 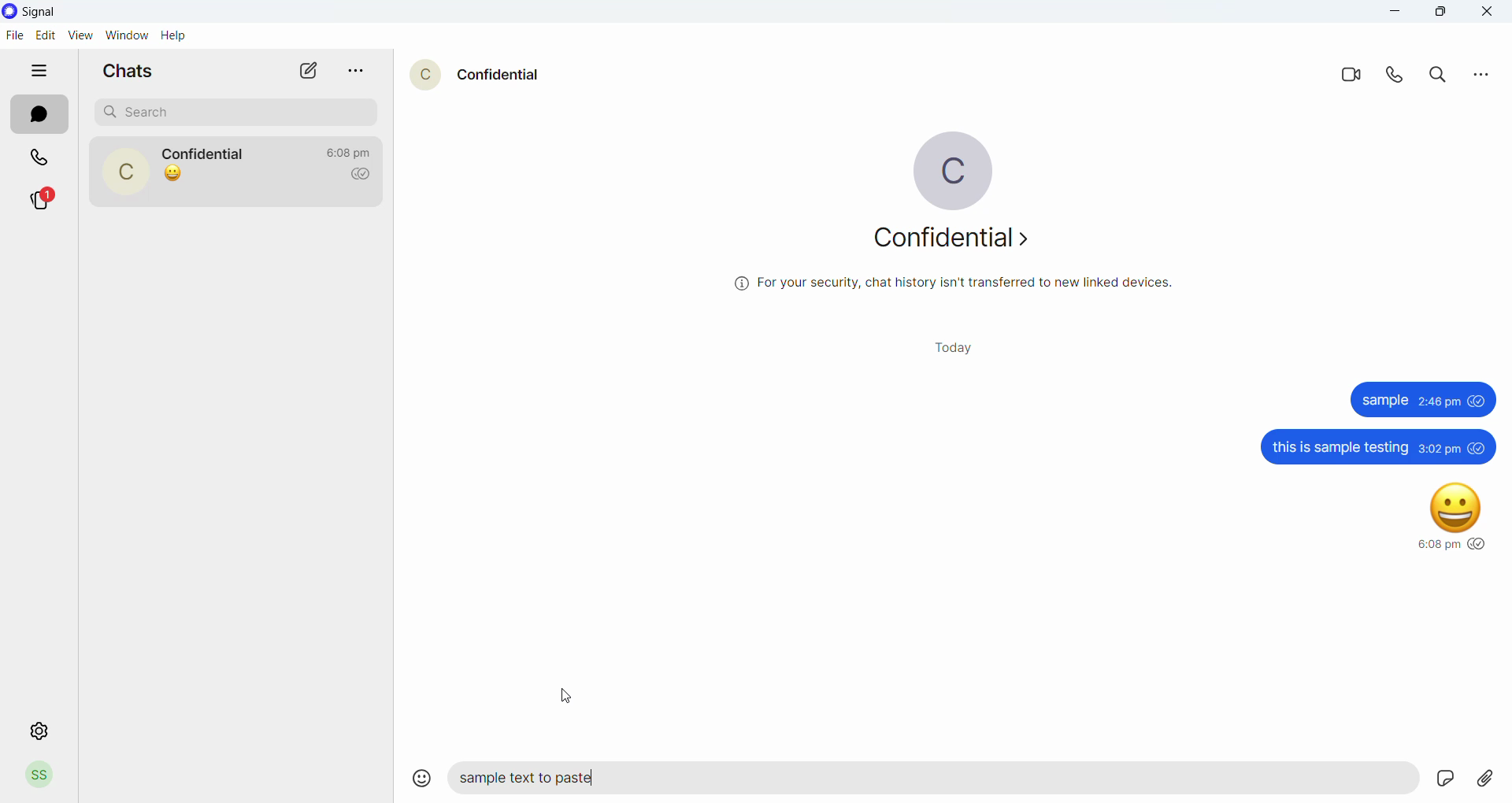 I want to click on security information, so click(x=953, y=288).